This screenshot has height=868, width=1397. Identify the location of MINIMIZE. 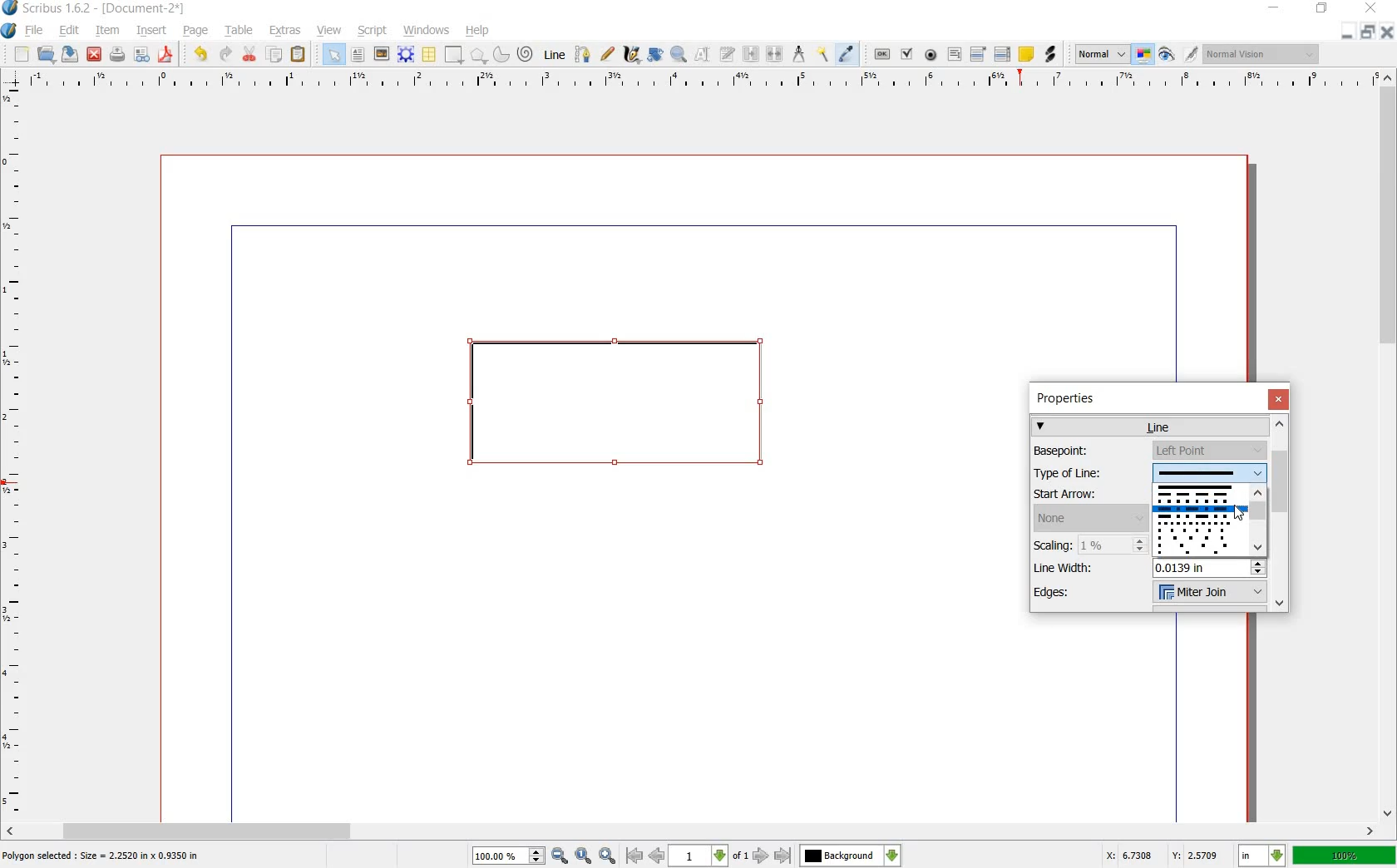
(1272, 8).